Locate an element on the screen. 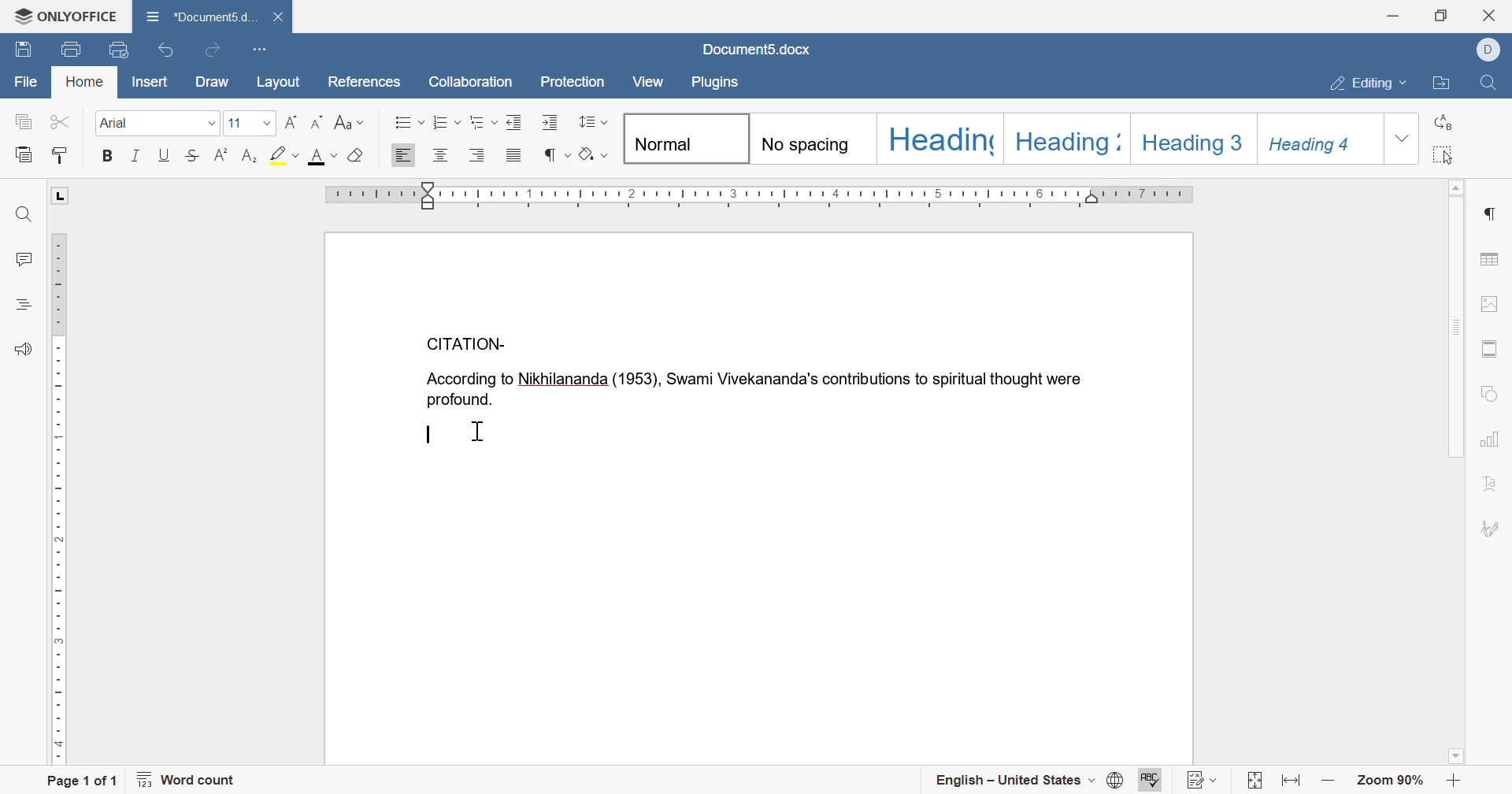 The width and height of the screenshot is (1512, 794). redo is located at coordinates (216, 51).